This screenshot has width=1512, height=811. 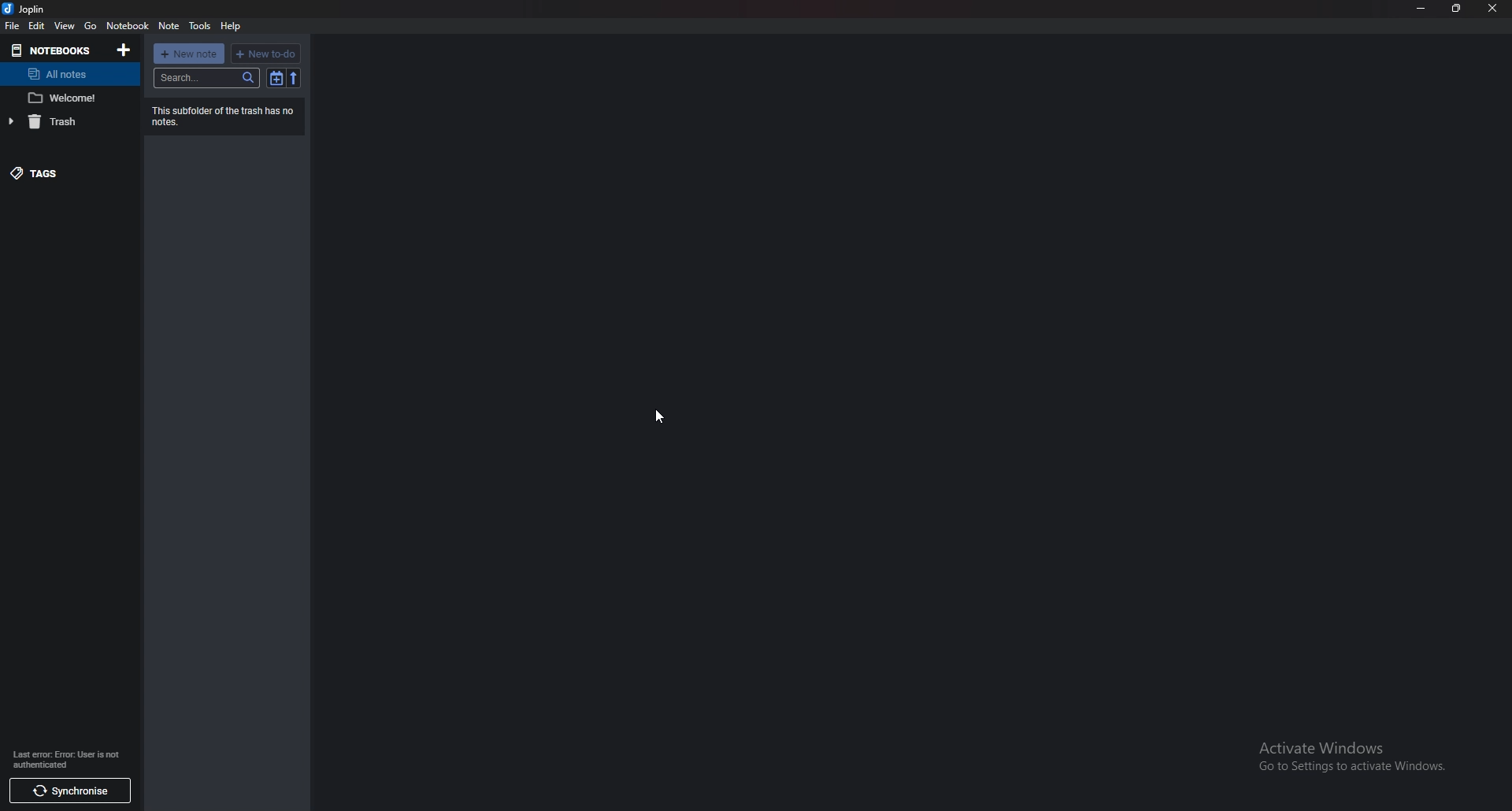 I want to click on Cursor, so click(x=661, y=414).